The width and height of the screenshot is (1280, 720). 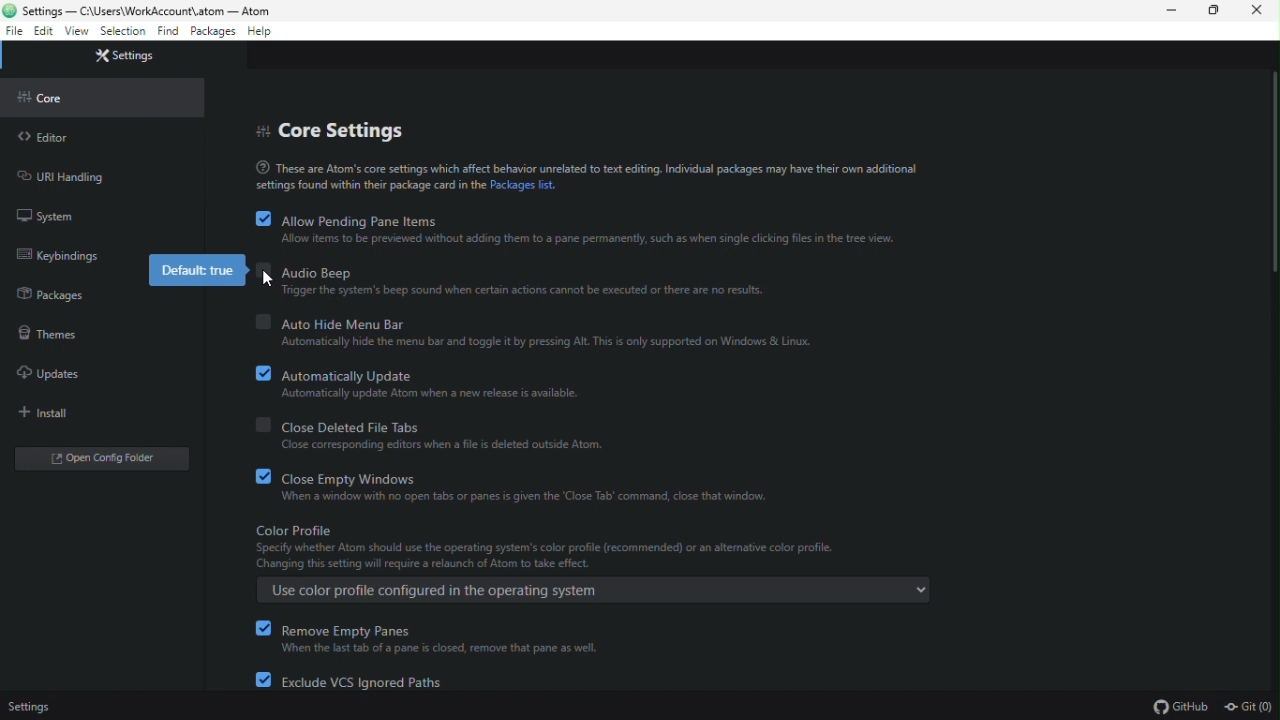 I want to click on auto hide menu bar, so click(x=532, y=322).